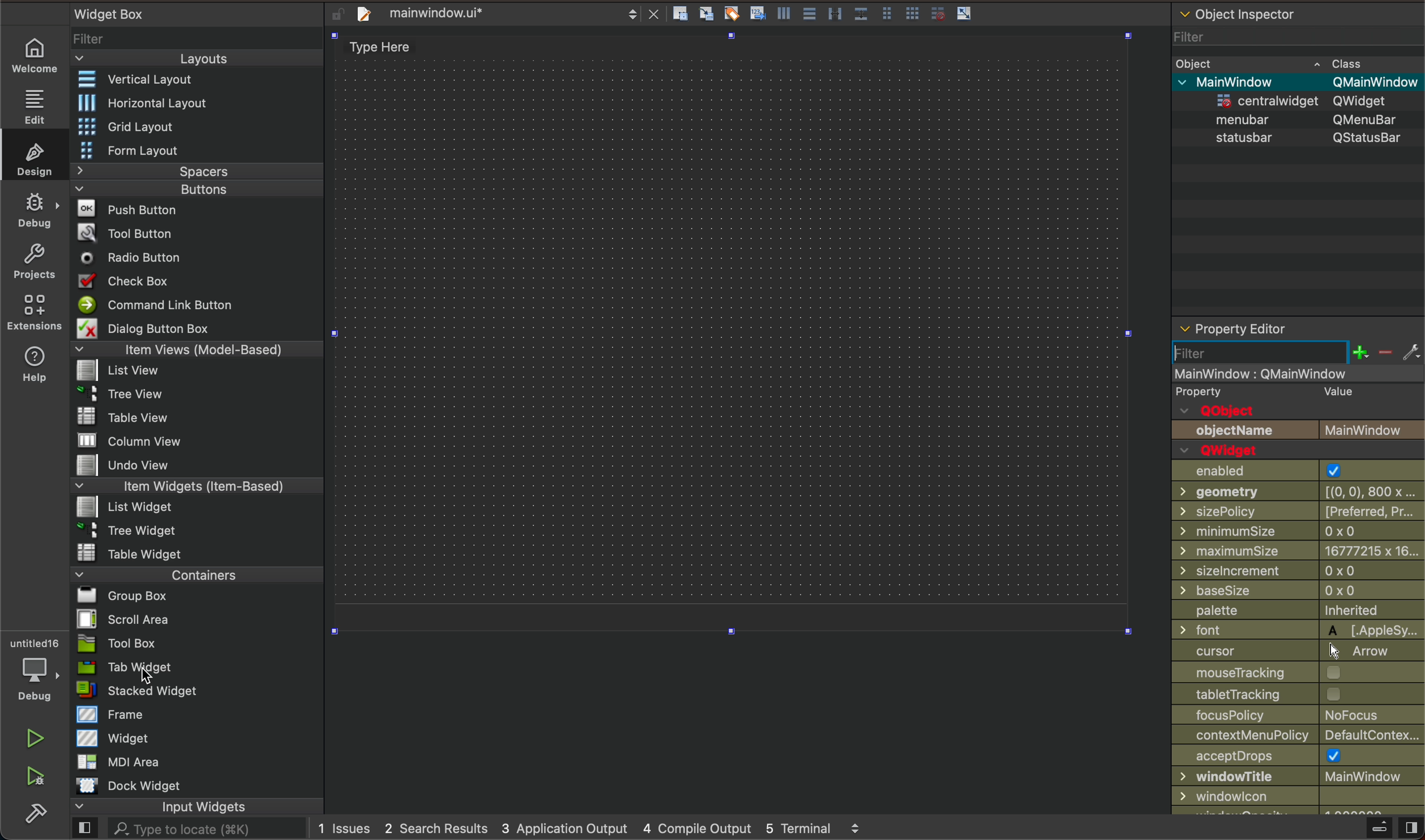 Image resolution: width=1425 pixels, height=840 pixels. What do you see at coordinates (196, 188) in the screenshot?
I see `Buttons` at bounding box center [196, 188].